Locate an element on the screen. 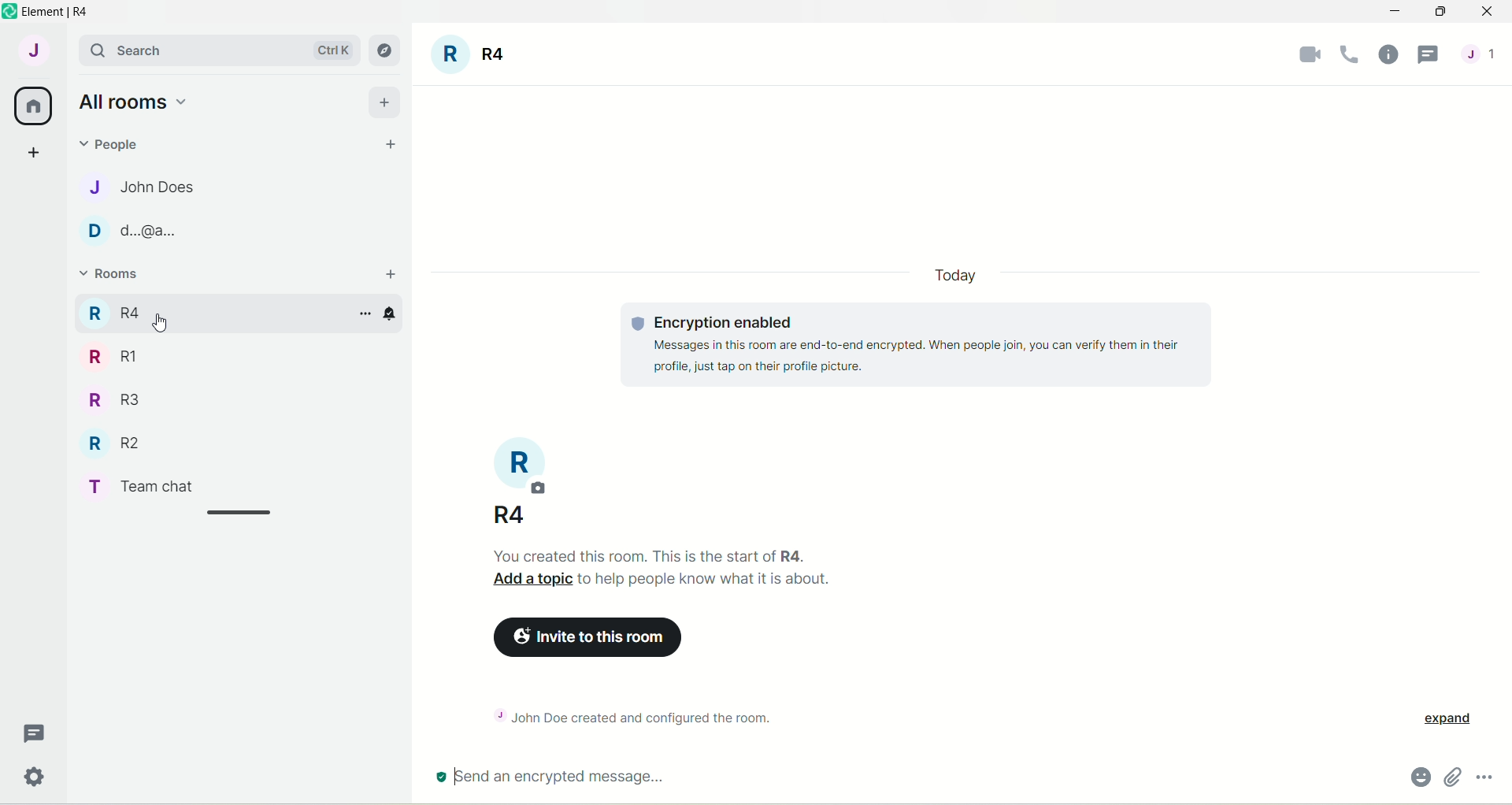  J John Does is located at coordinates (127, 187).